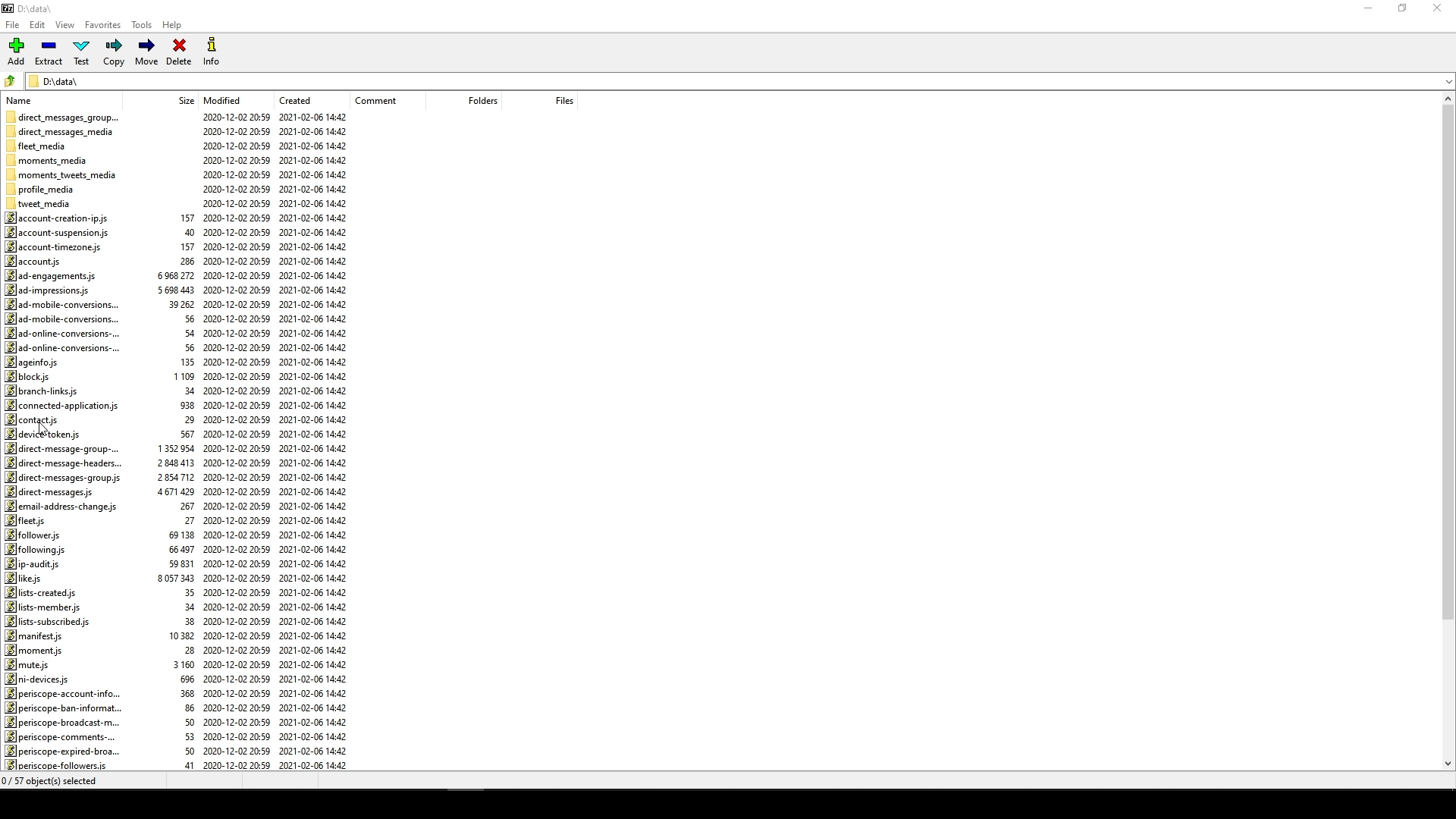 The width and height of the screenshot is (1456, 819). Describe the element at coordinates (178, 479) in the screenshot. I see `size` at that location.